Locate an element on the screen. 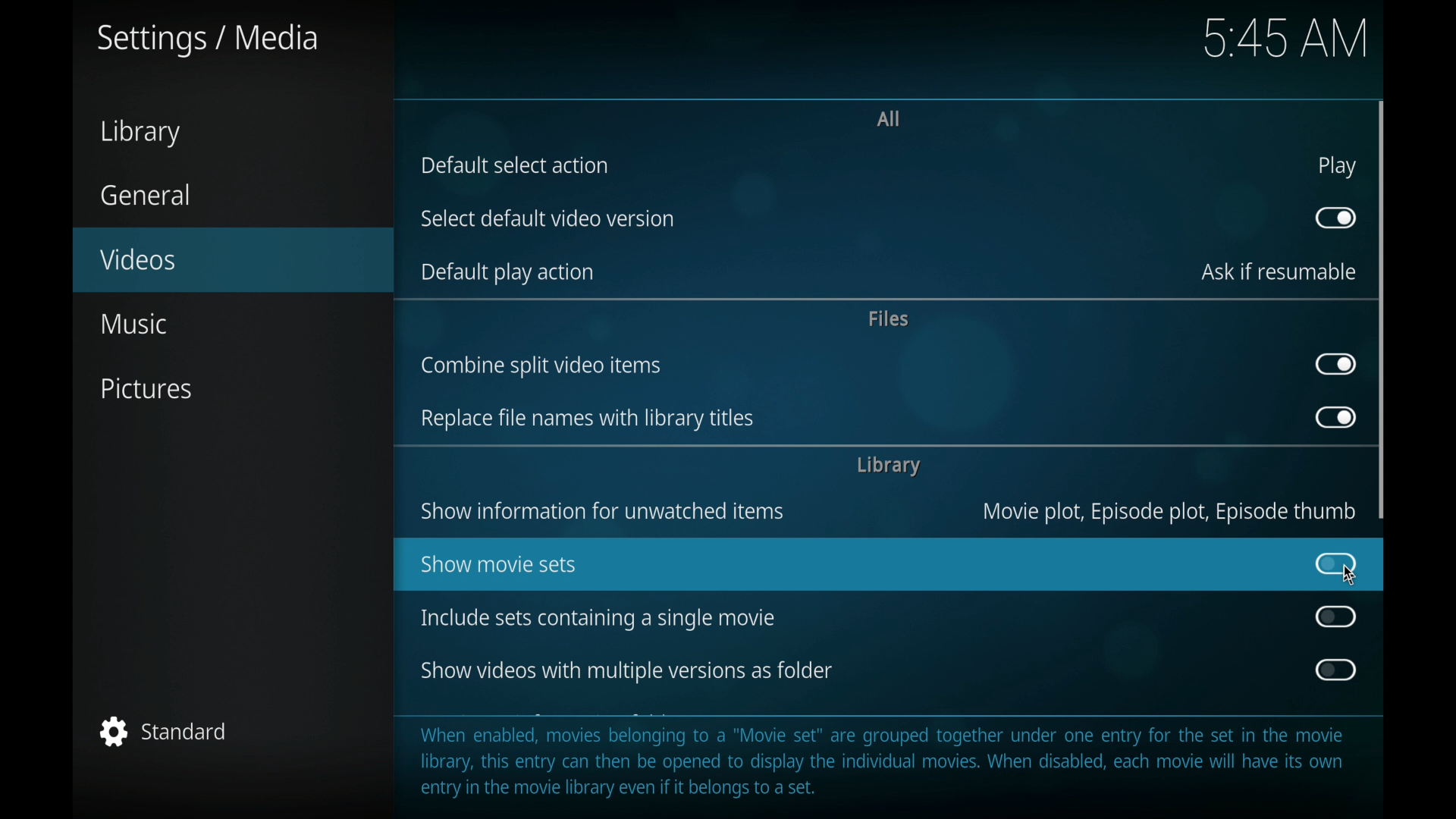 The height and width of the screenshot is (819, 1456). show movie sets is located at coordinates (499, 563).